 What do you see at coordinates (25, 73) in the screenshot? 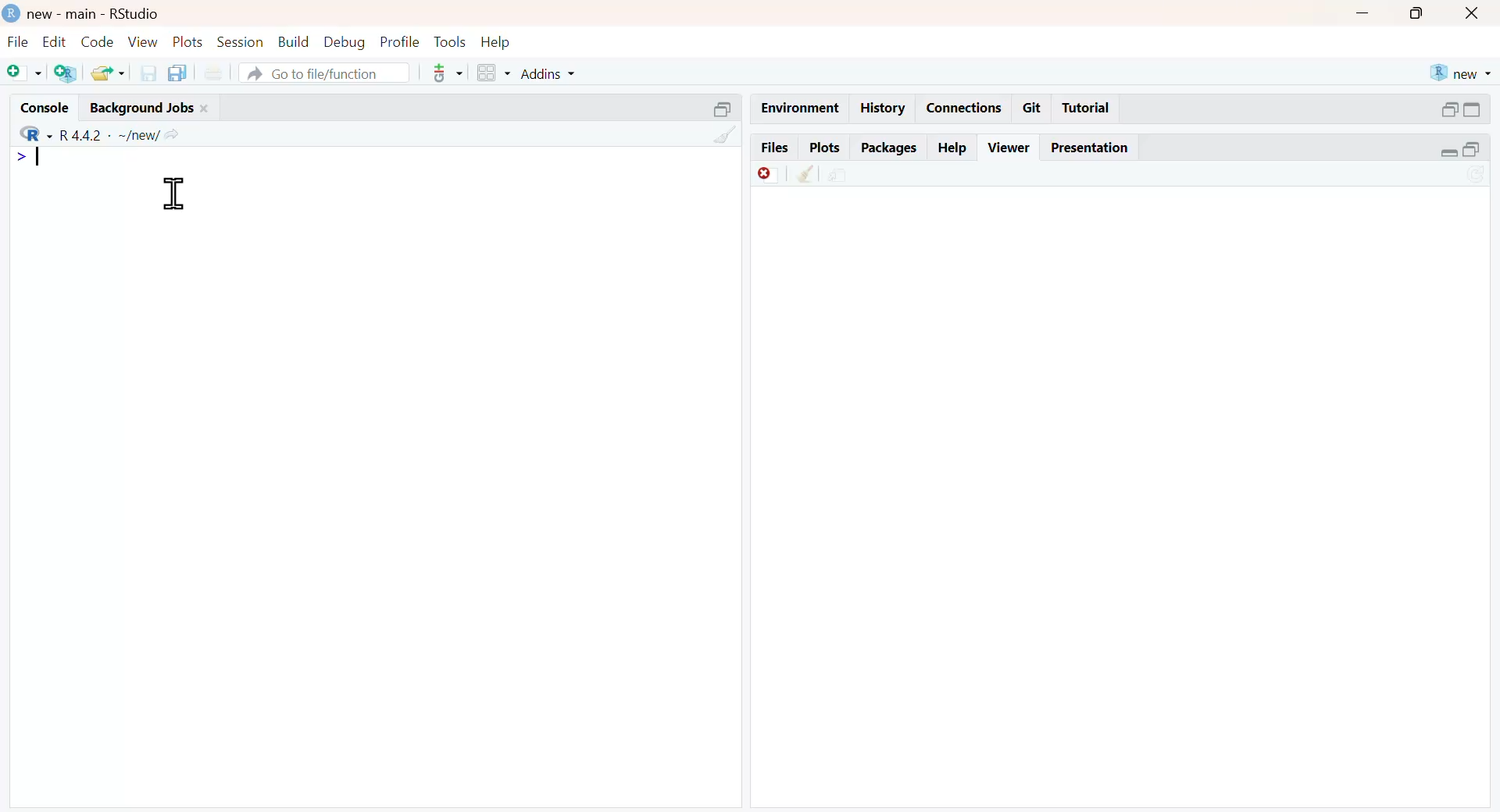
I see `add file as` at bounding box center [25, 73].